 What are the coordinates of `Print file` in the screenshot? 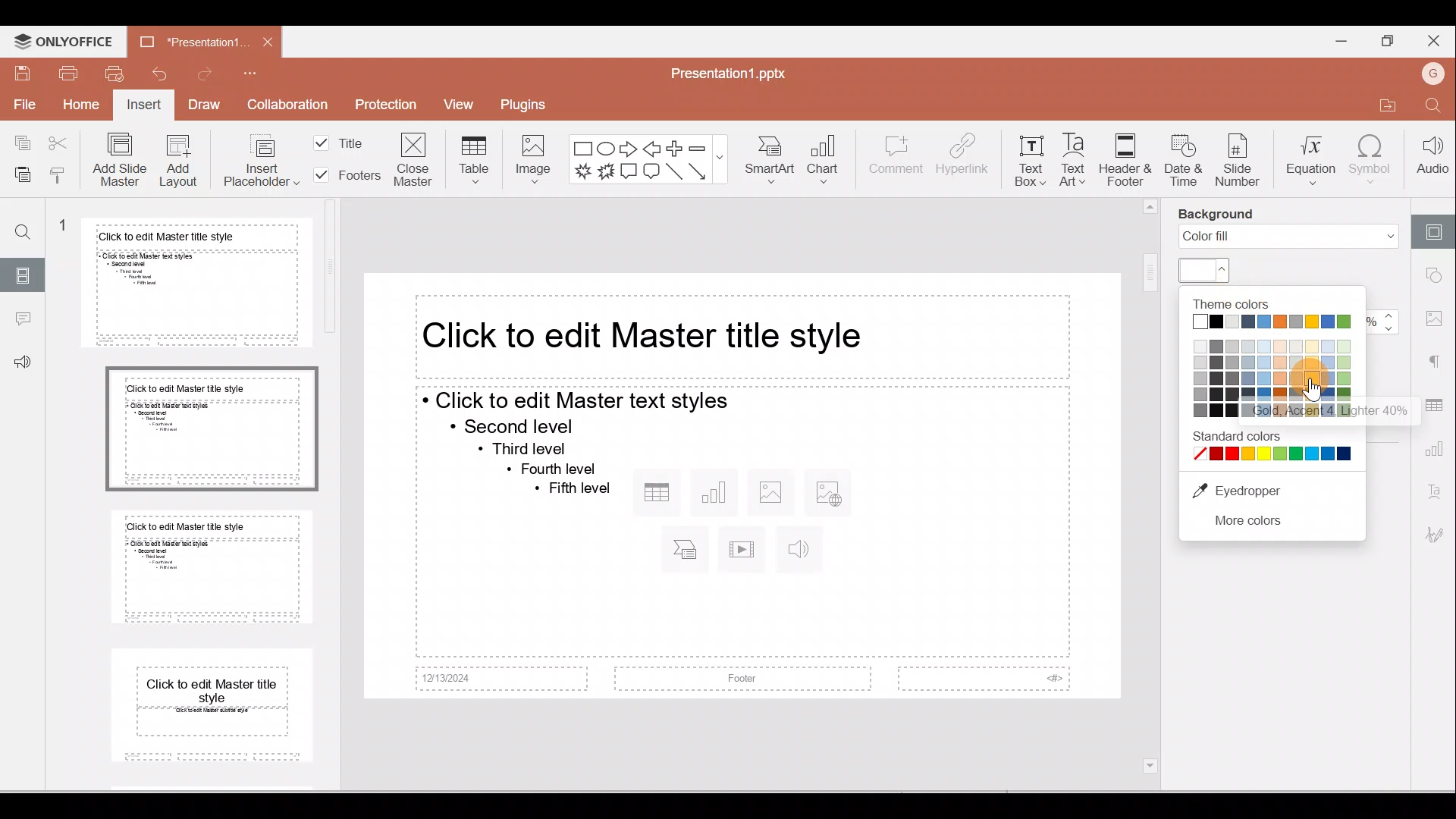 It's located at (67, 74).